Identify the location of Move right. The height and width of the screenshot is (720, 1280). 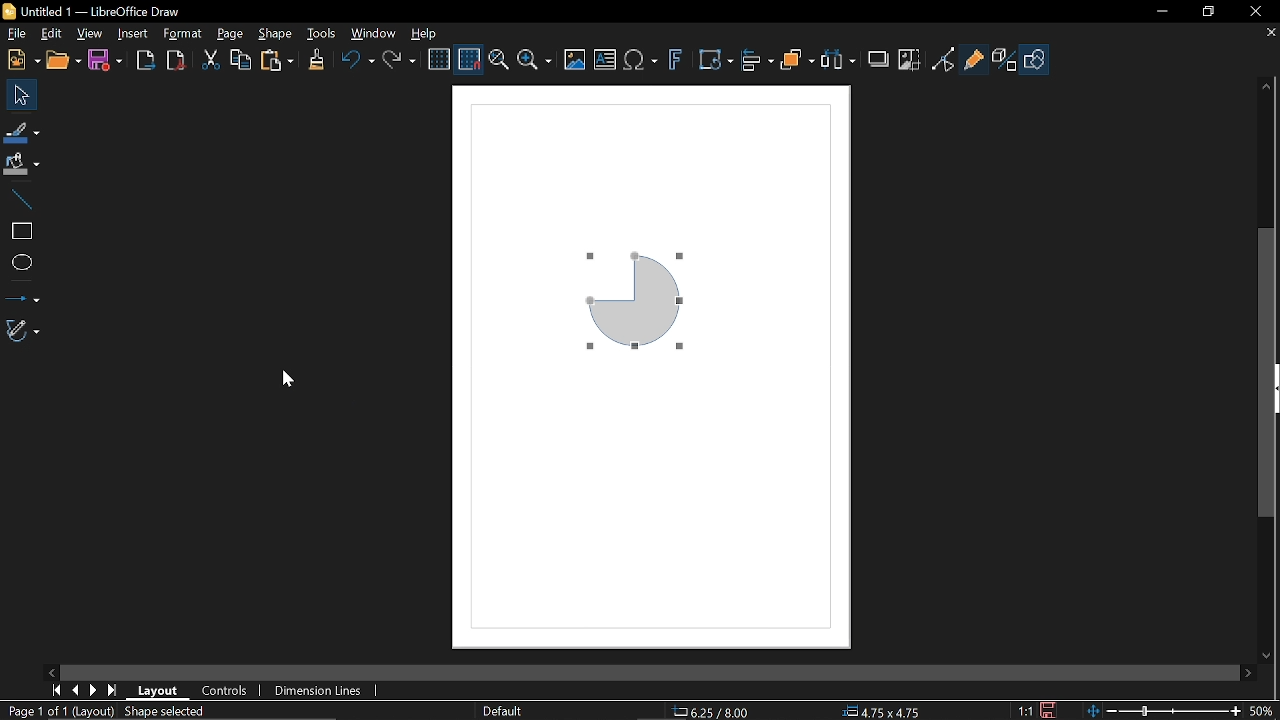
(1250, 672).